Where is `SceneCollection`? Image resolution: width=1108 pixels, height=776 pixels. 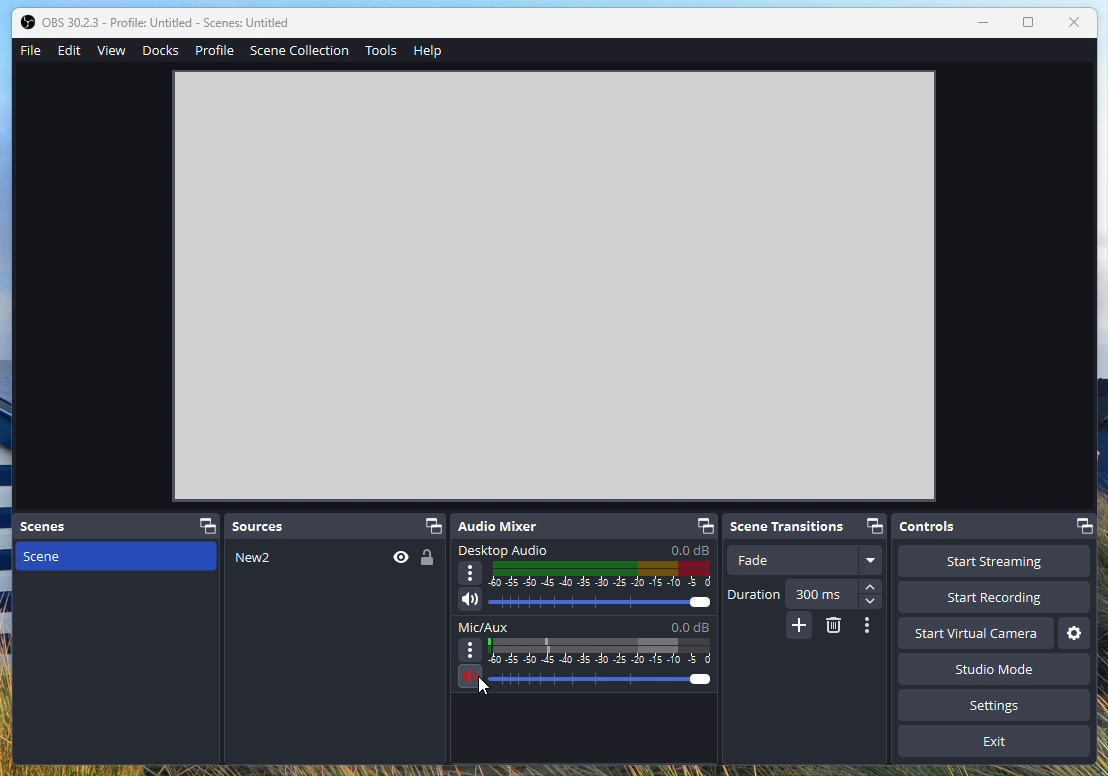 SceneCollection is located at coordinates (300, 53).